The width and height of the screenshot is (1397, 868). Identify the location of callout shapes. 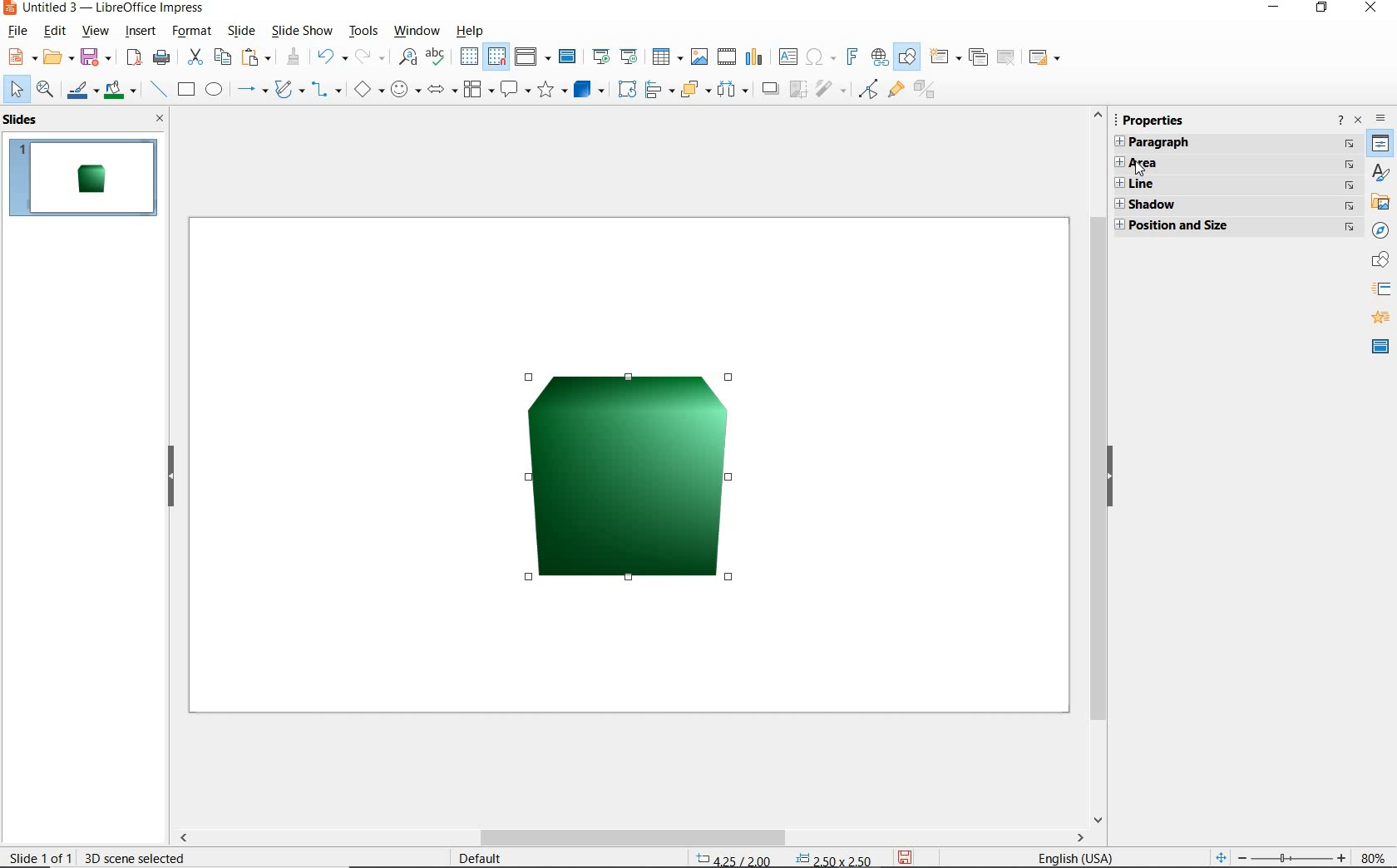
(516, 90).